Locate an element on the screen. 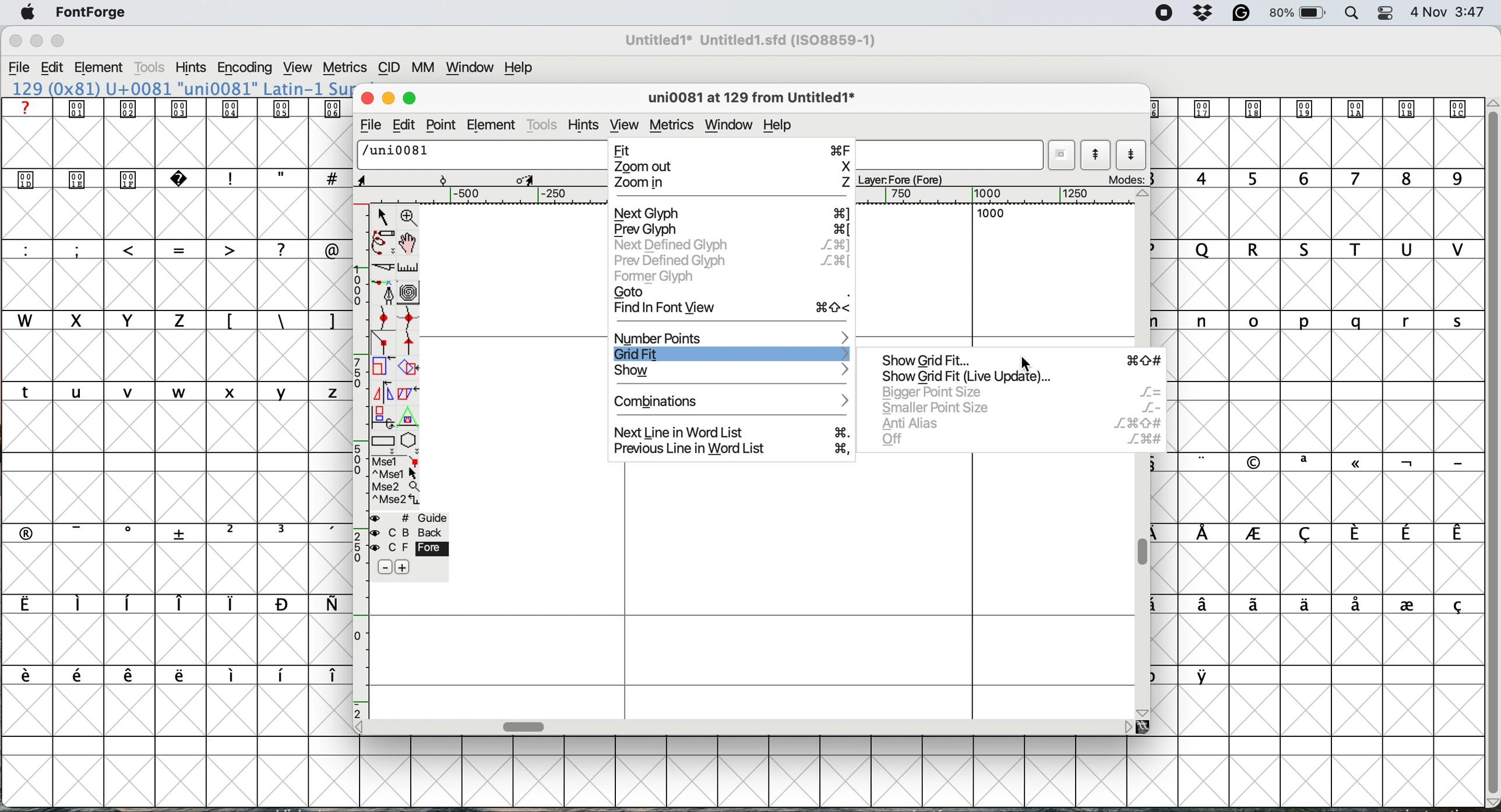  show next letter is located at coordinates (1130, 154).